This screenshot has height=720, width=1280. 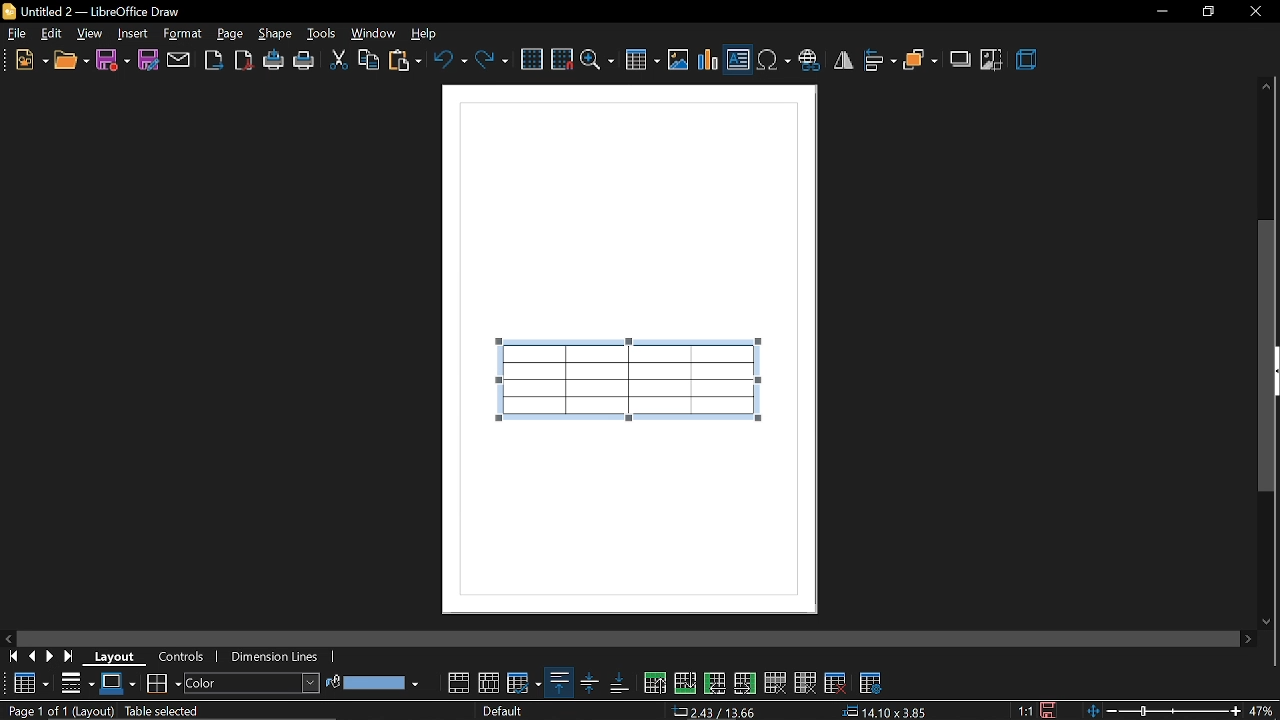 I want to click on table, so click(x=624, y=376).